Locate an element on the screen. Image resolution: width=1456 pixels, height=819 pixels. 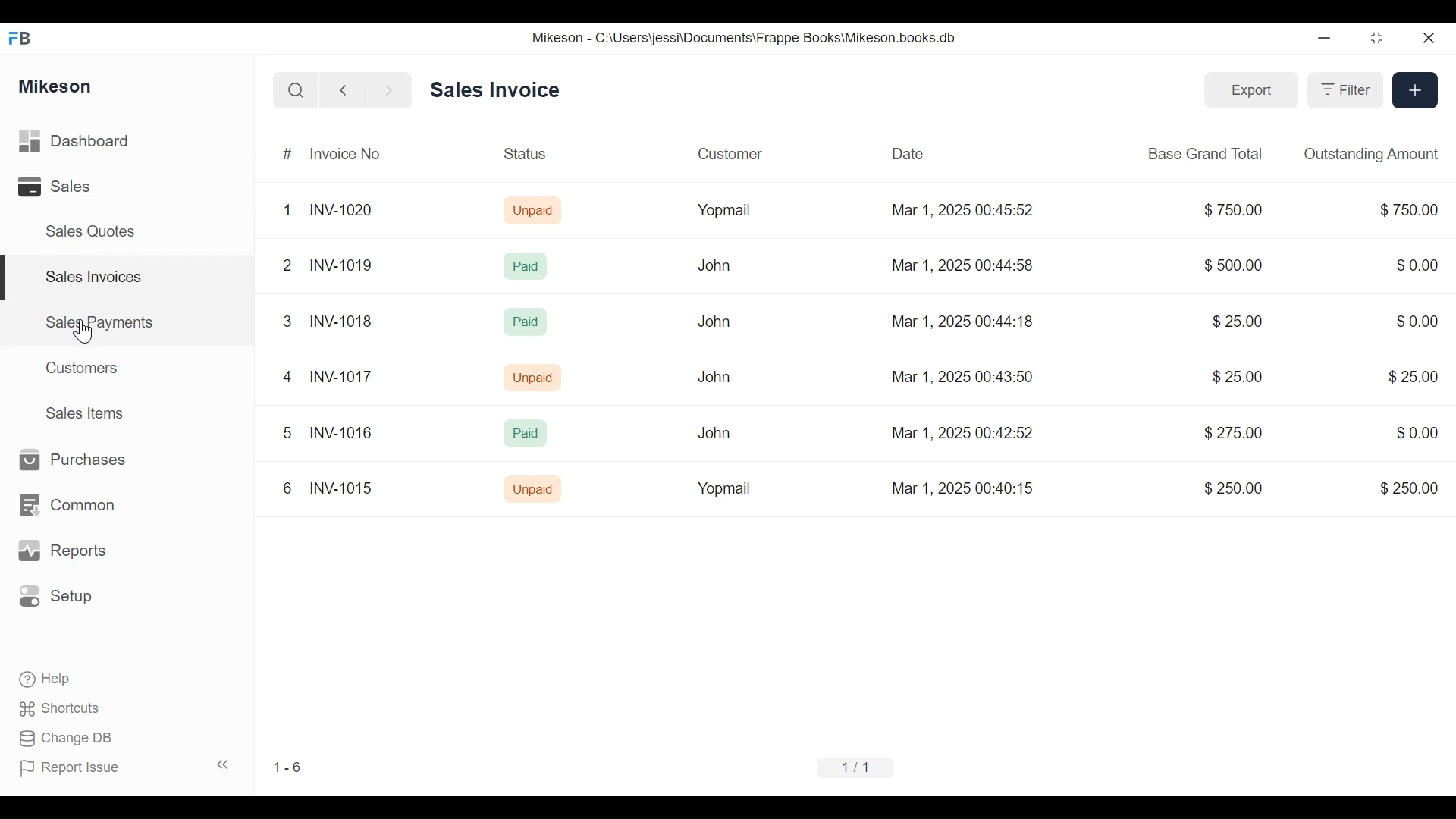
Filter is located at coordinates (1341, 92).